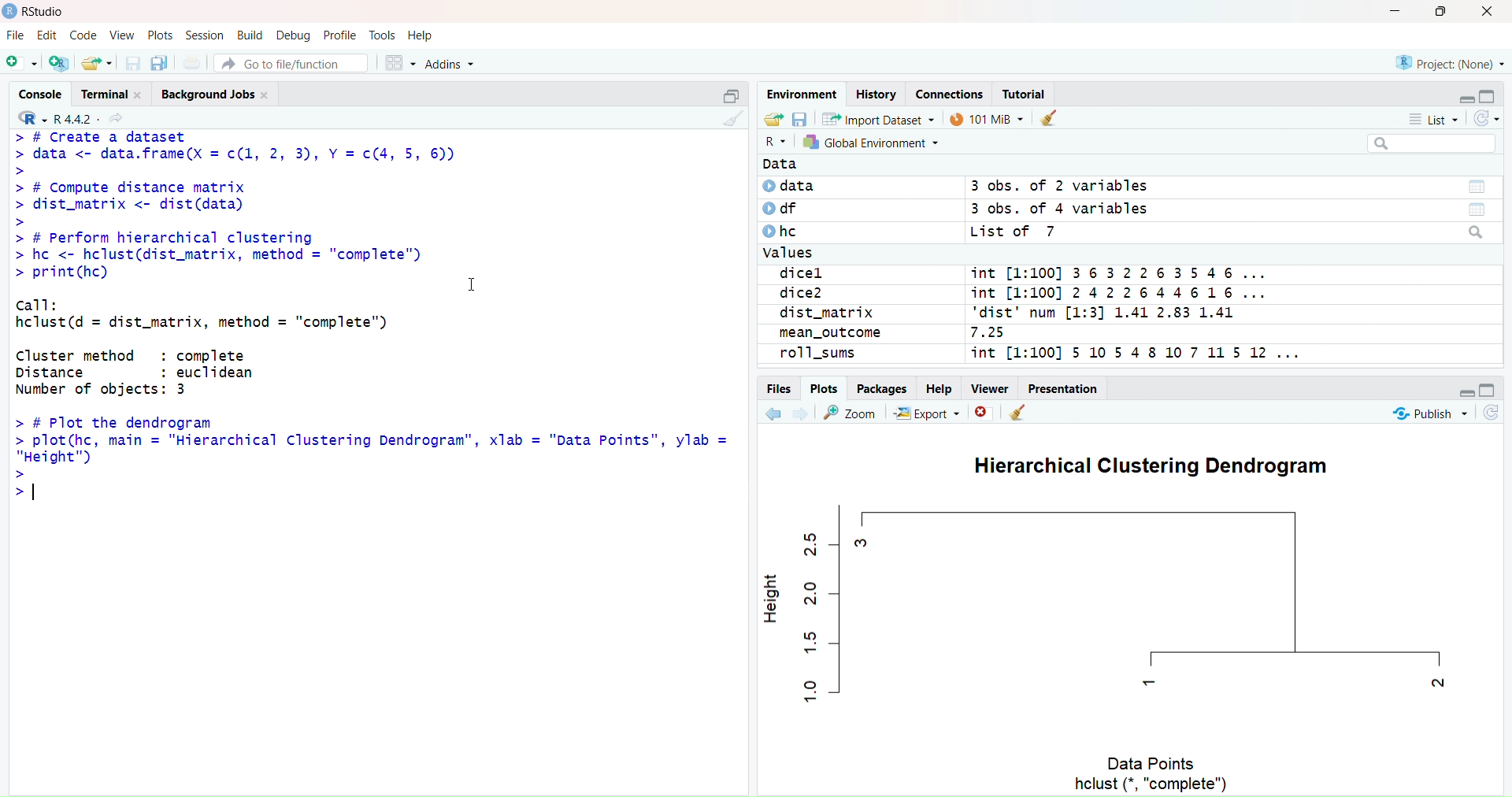 The height and width of the screenshot is (797, 1512). I want to click on Save all open documents (Ctrl + Alt + S), so click(161, 61).